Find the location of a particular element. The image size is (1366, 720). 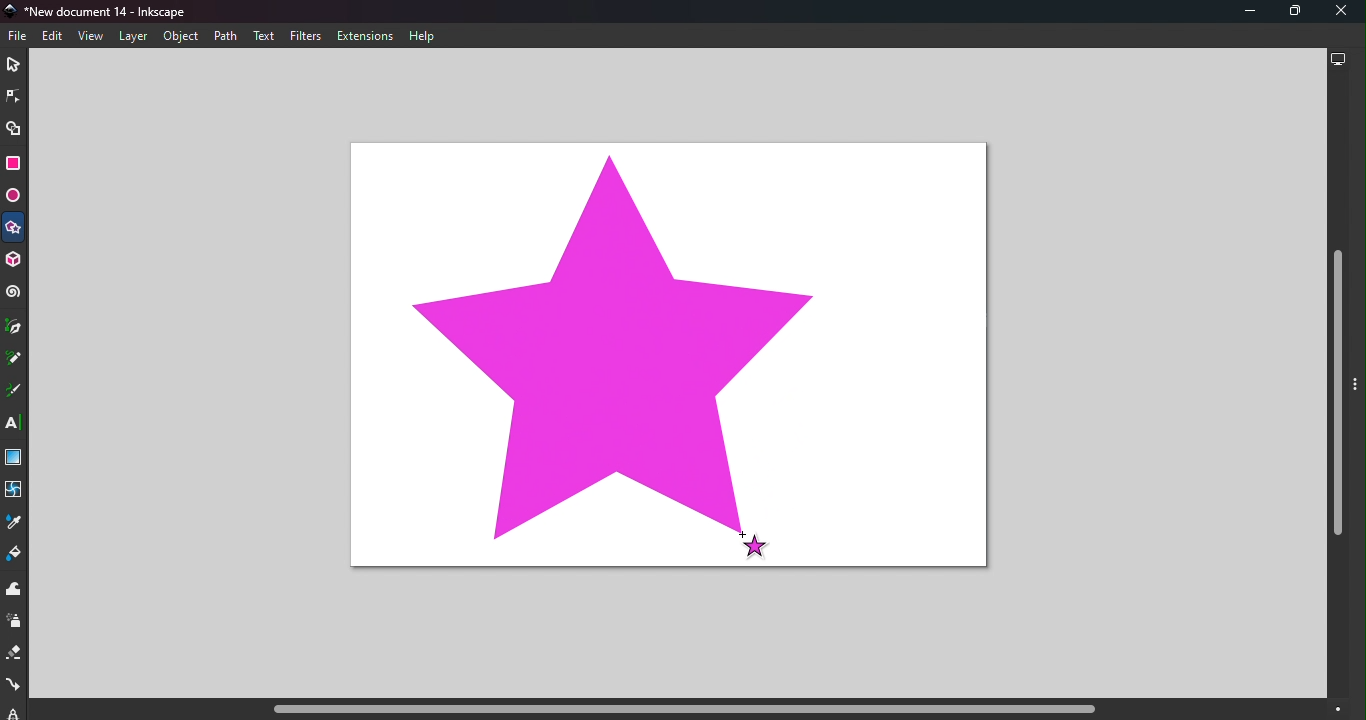

View is located at coordinates (90, 35).